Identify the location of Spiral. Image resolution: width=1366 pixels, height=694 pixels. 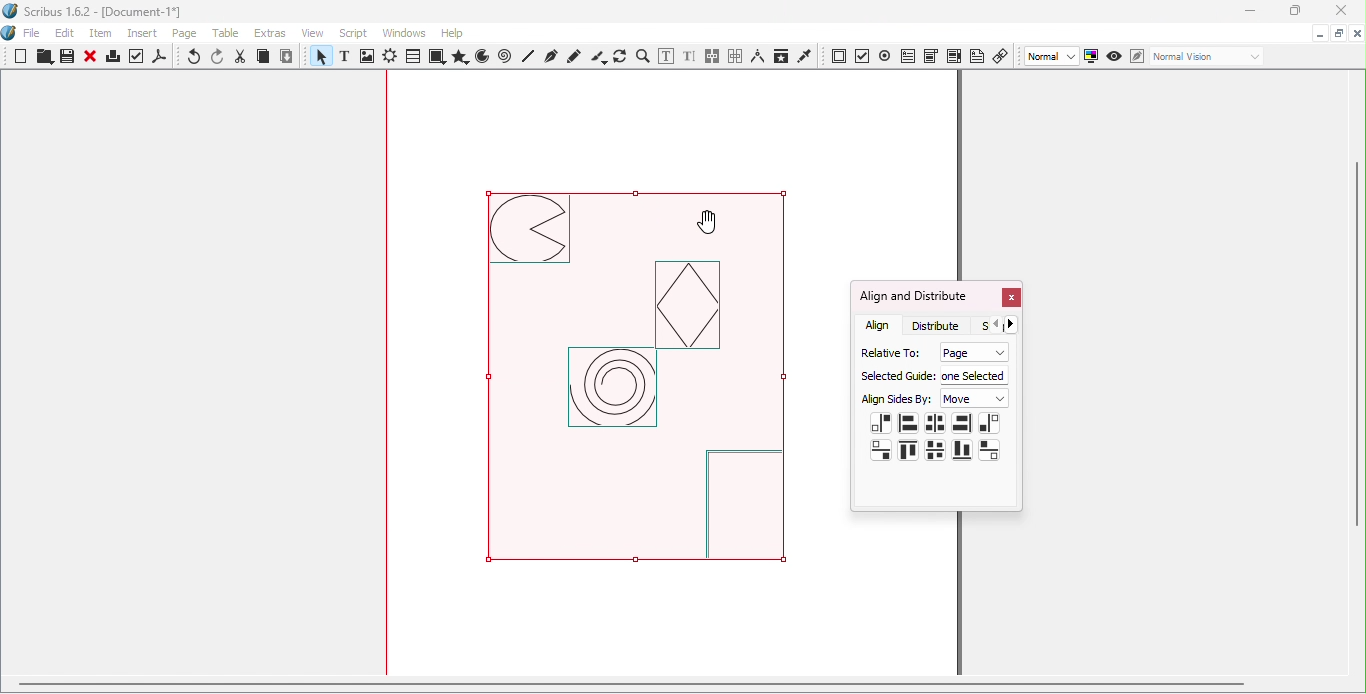
(507, 57).